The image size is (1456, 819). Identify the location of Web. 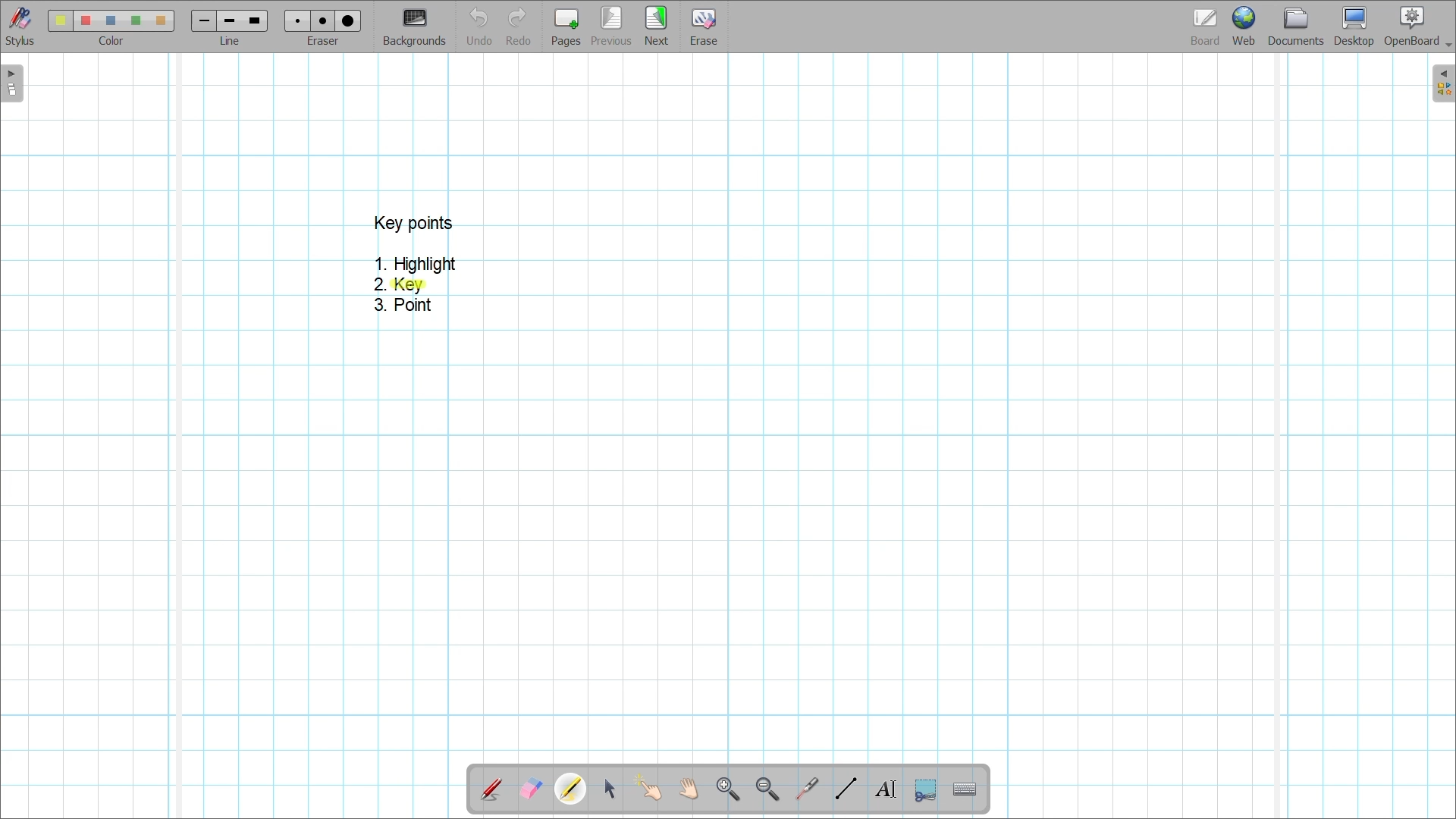
(1244, 26).